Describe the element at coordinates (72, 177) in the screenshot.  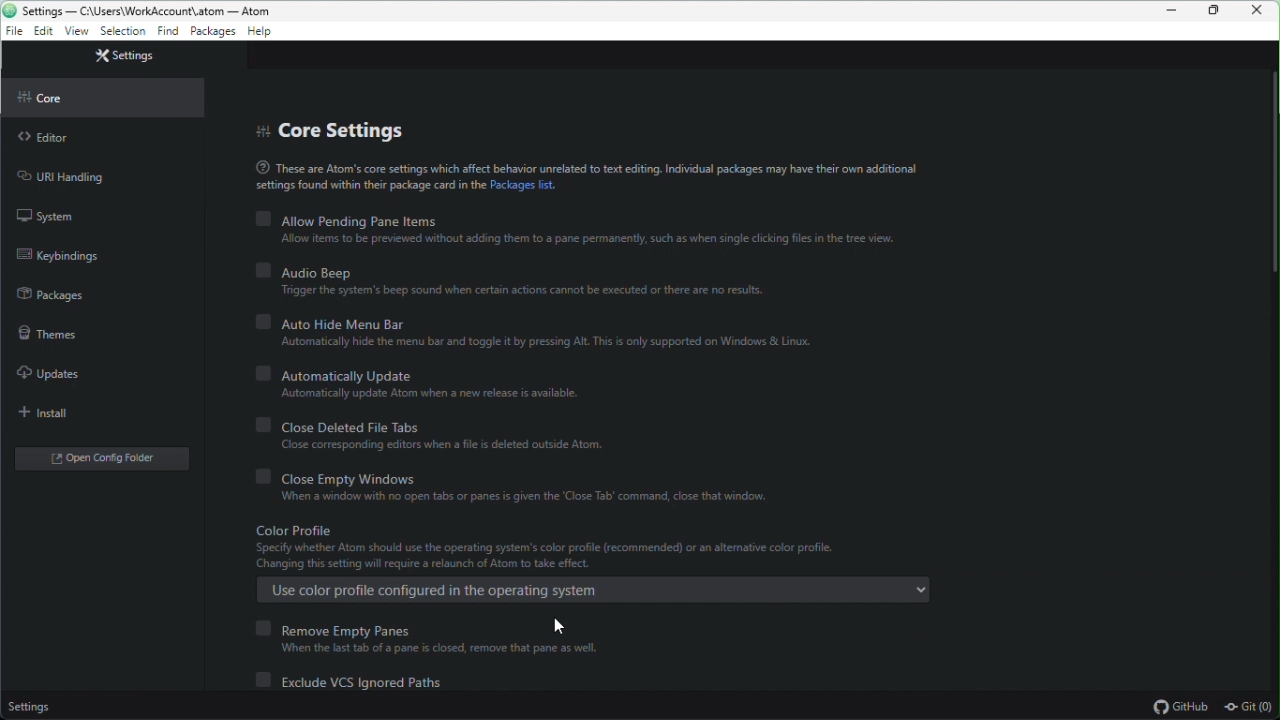
I see `URL handling` at that location.